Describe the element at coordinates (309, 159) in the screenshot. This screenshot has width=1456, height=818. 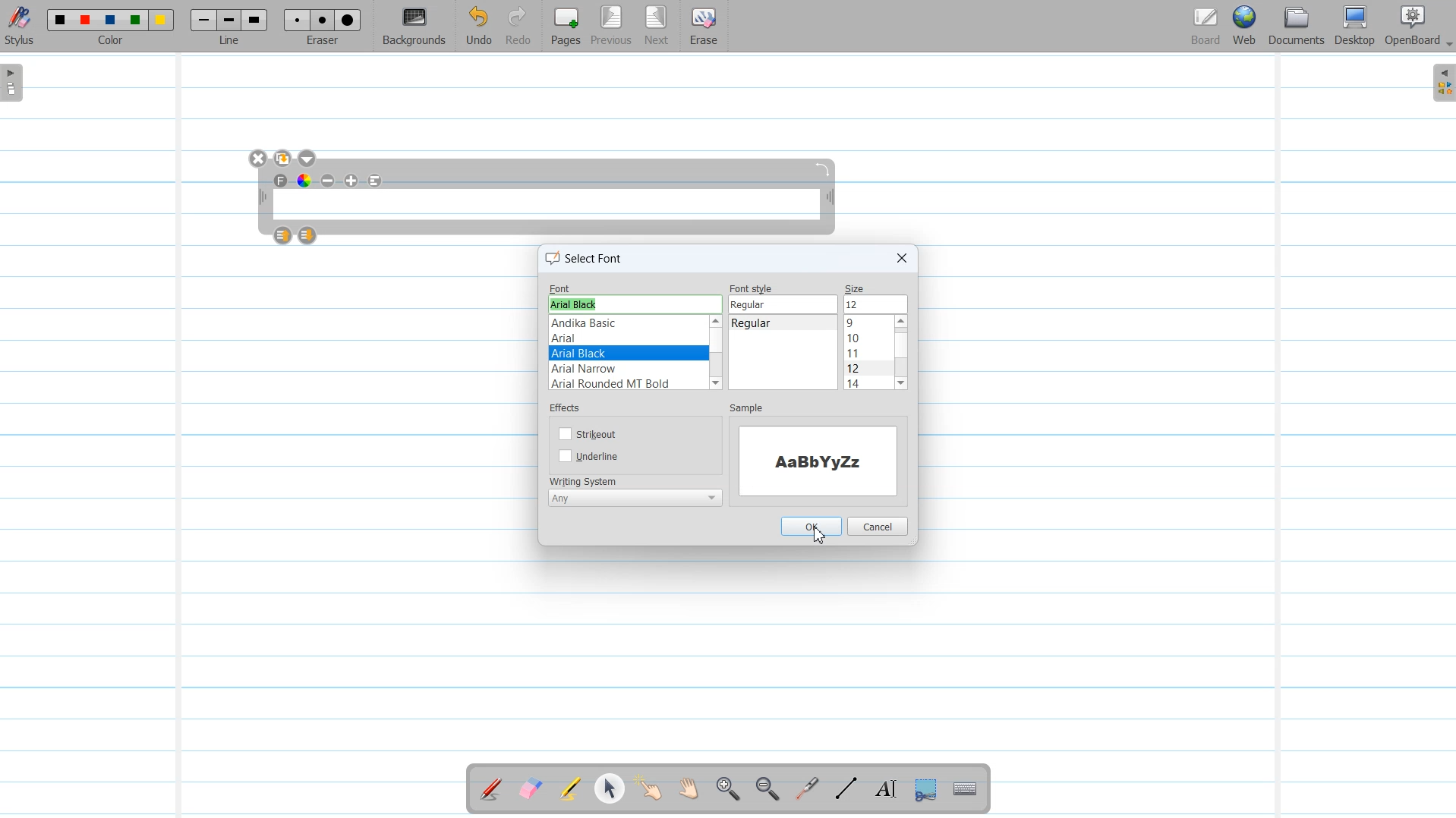
I see `Drop down box` at that location.